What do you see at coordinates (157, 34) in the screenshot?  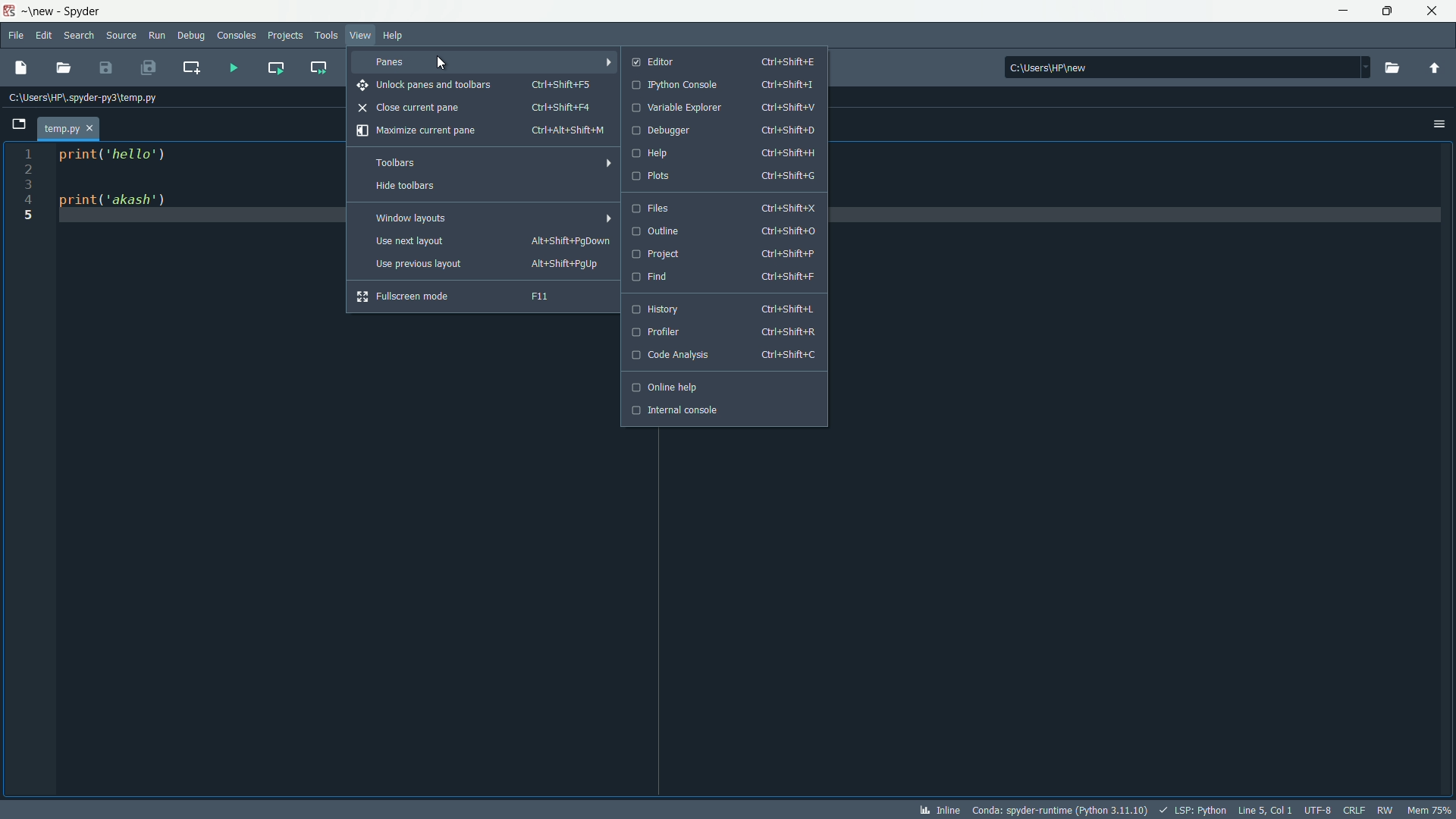 I see `run menu` at bounding box center [157, 34].